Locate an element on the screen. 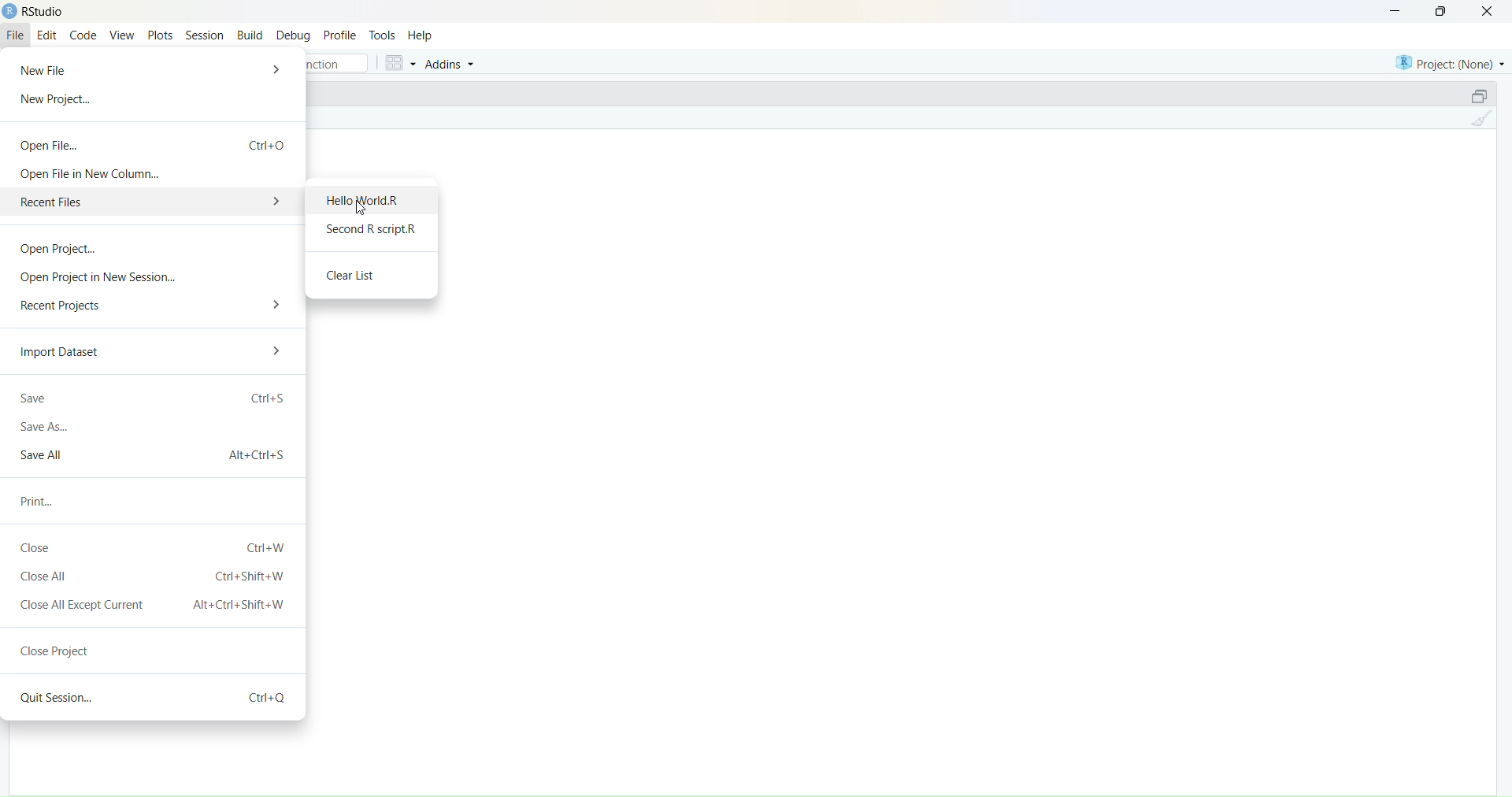 This screenshot has height=797, width=1512. More is located at coordinates (279, 69).